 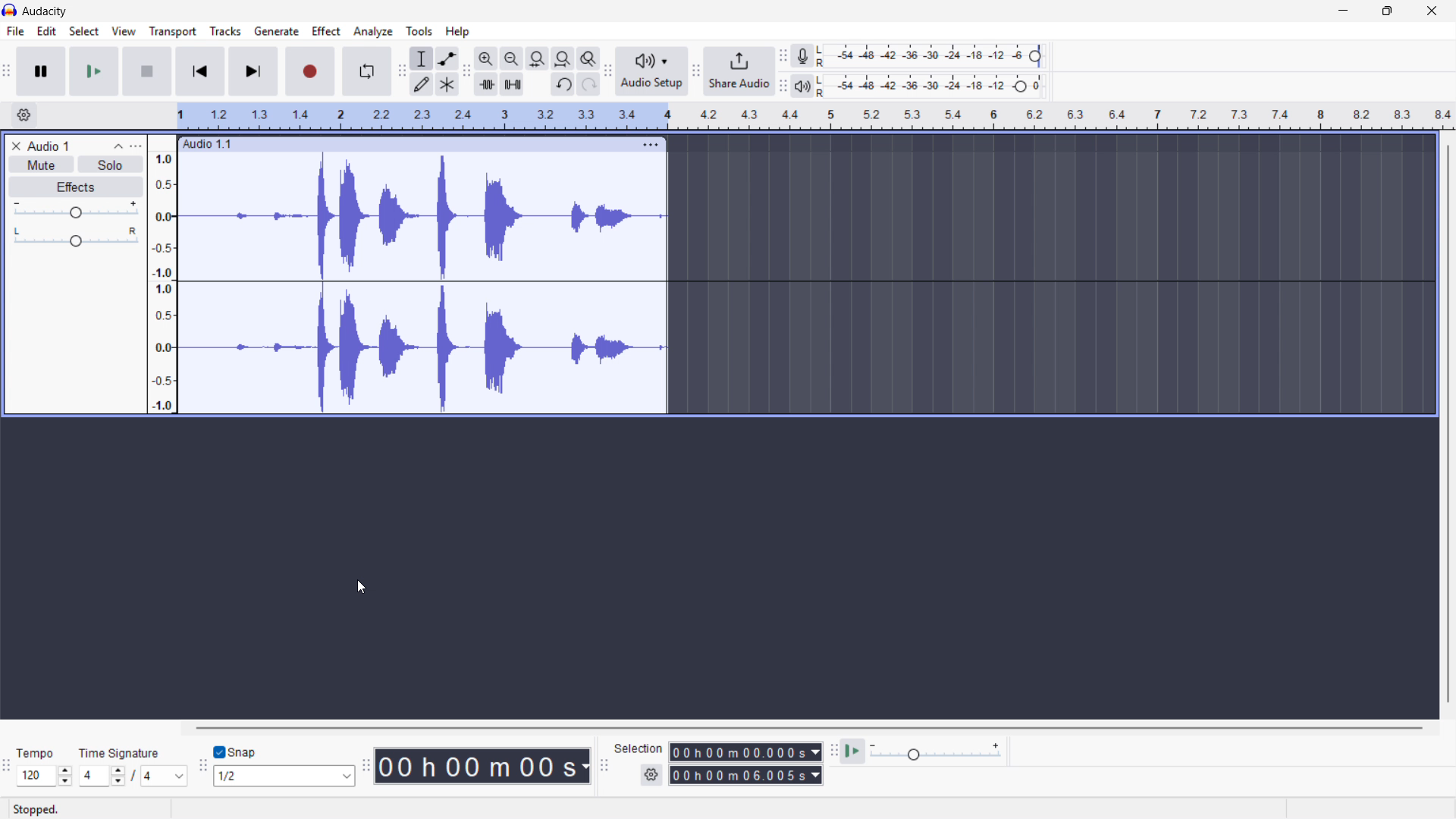 I want to click on View , so click(x=124, y=31).